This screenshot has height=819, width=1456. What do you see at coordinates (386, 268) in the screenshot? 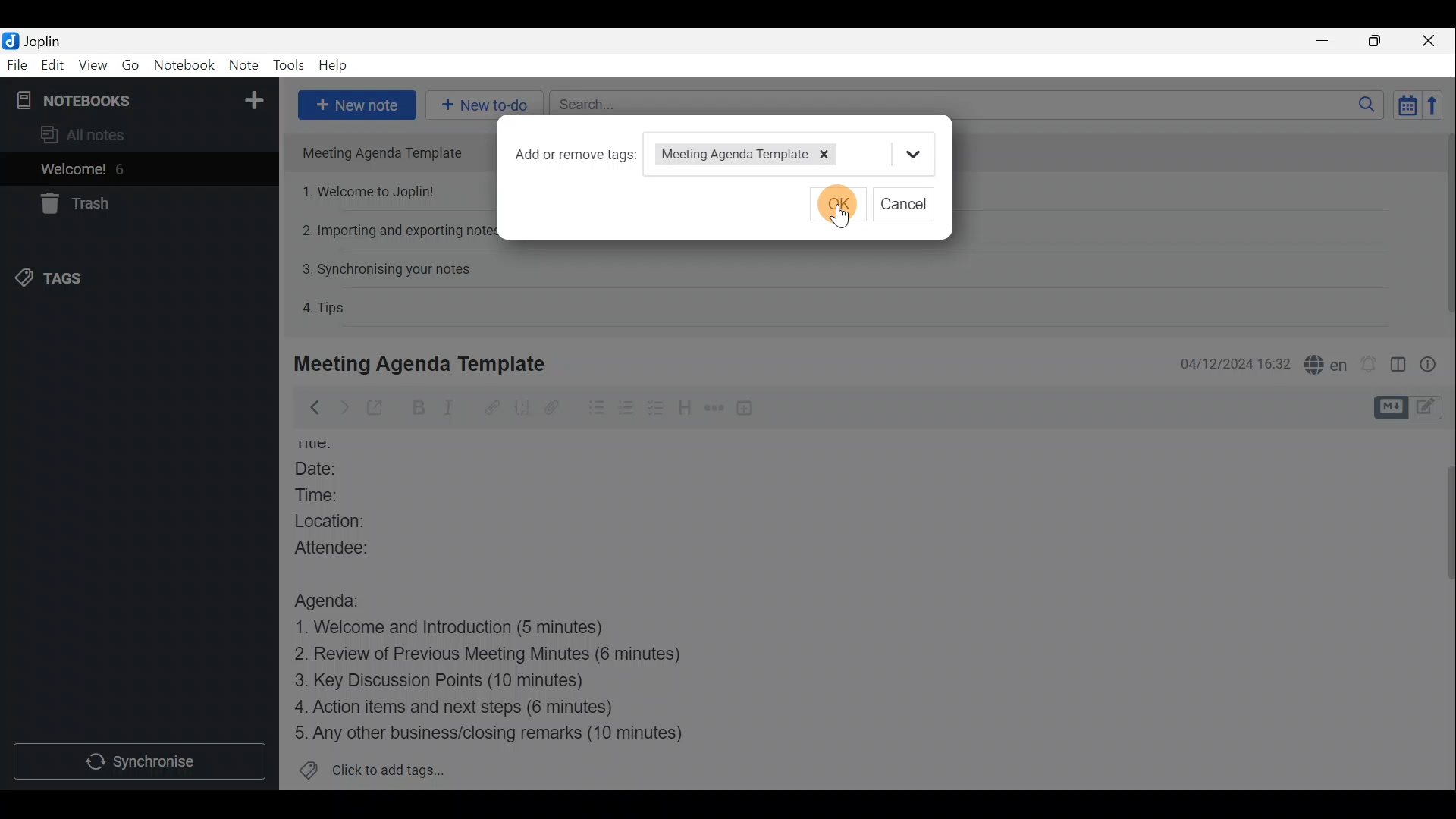
I see `3. Synchronising your notes` at bounding box center [386, 268].